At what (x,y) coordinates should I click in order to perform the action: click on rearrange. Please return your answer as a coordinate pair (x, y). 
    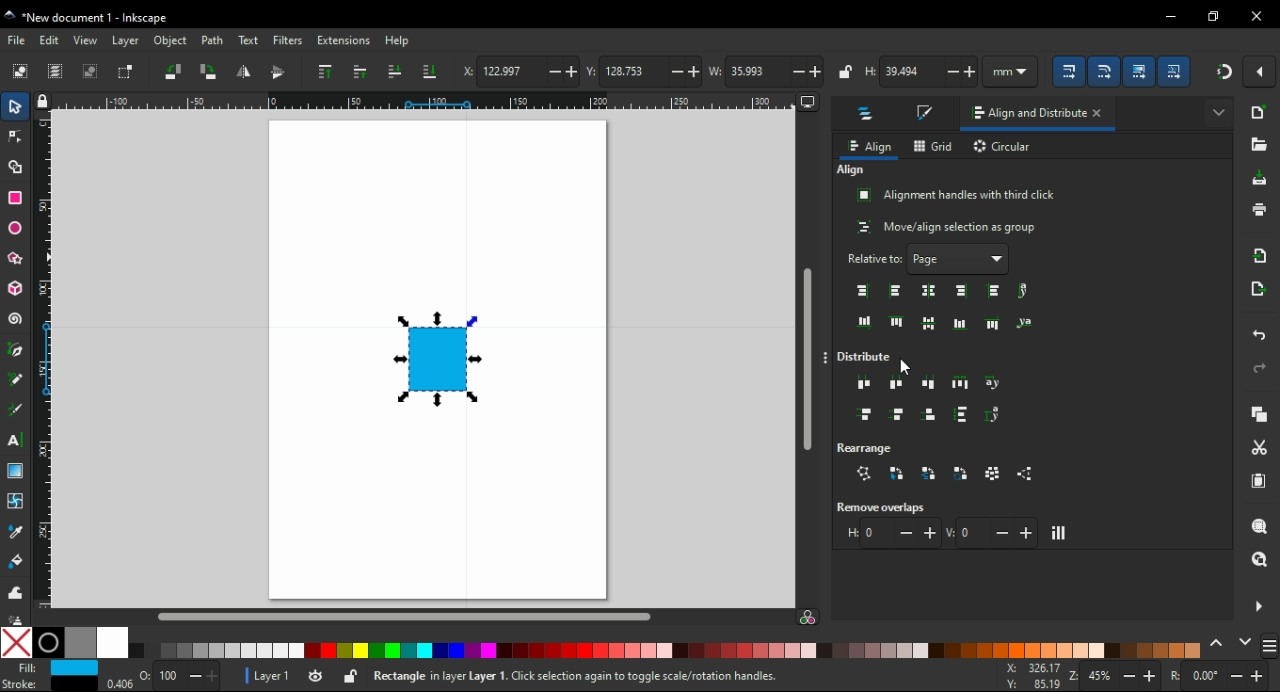
    Looking at the image, I should click on (874, 446).